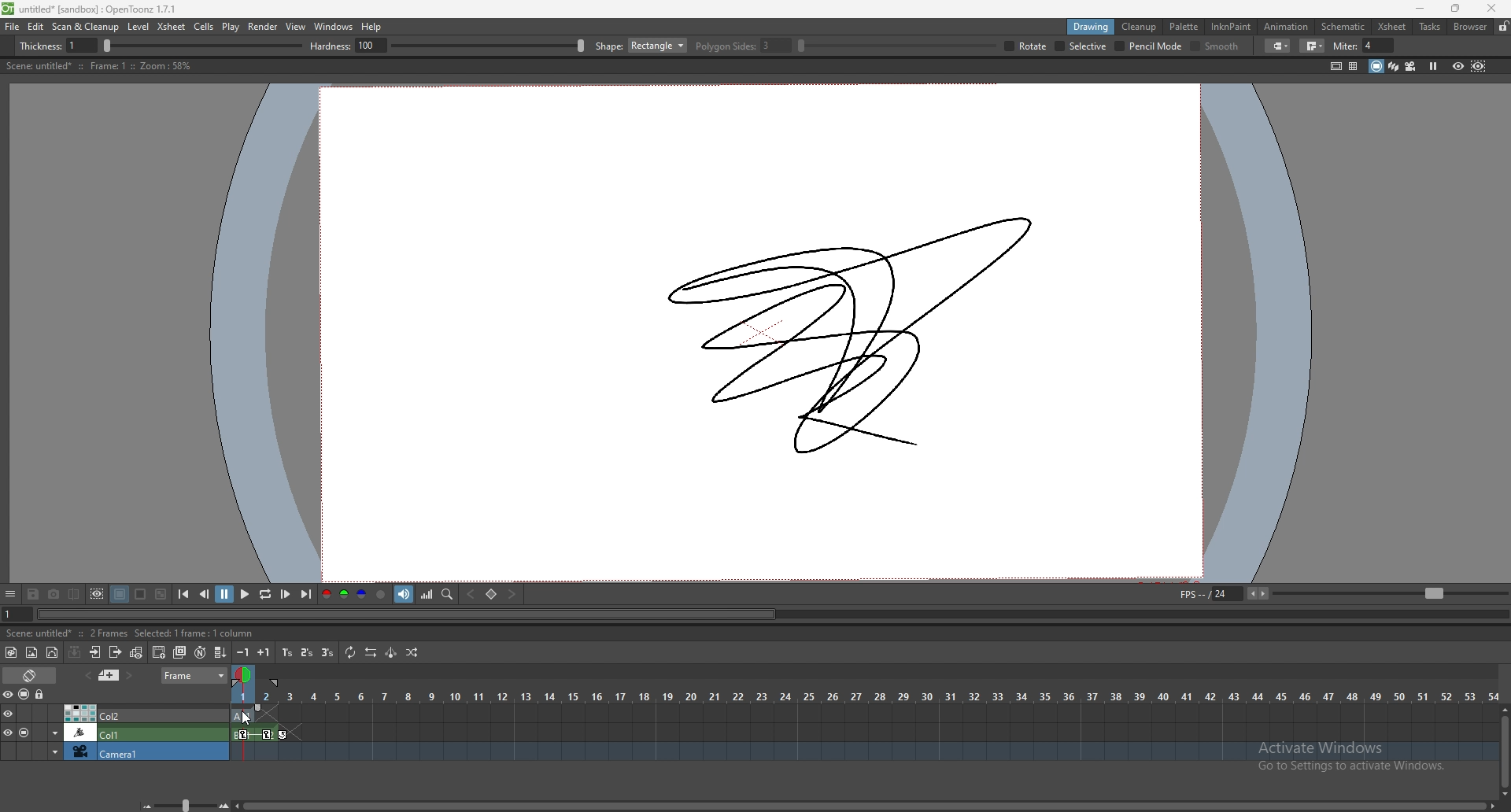 Image resolution: width=1511 pixels, height=812 pixels. I want to click on animation, so click(1287, 27).